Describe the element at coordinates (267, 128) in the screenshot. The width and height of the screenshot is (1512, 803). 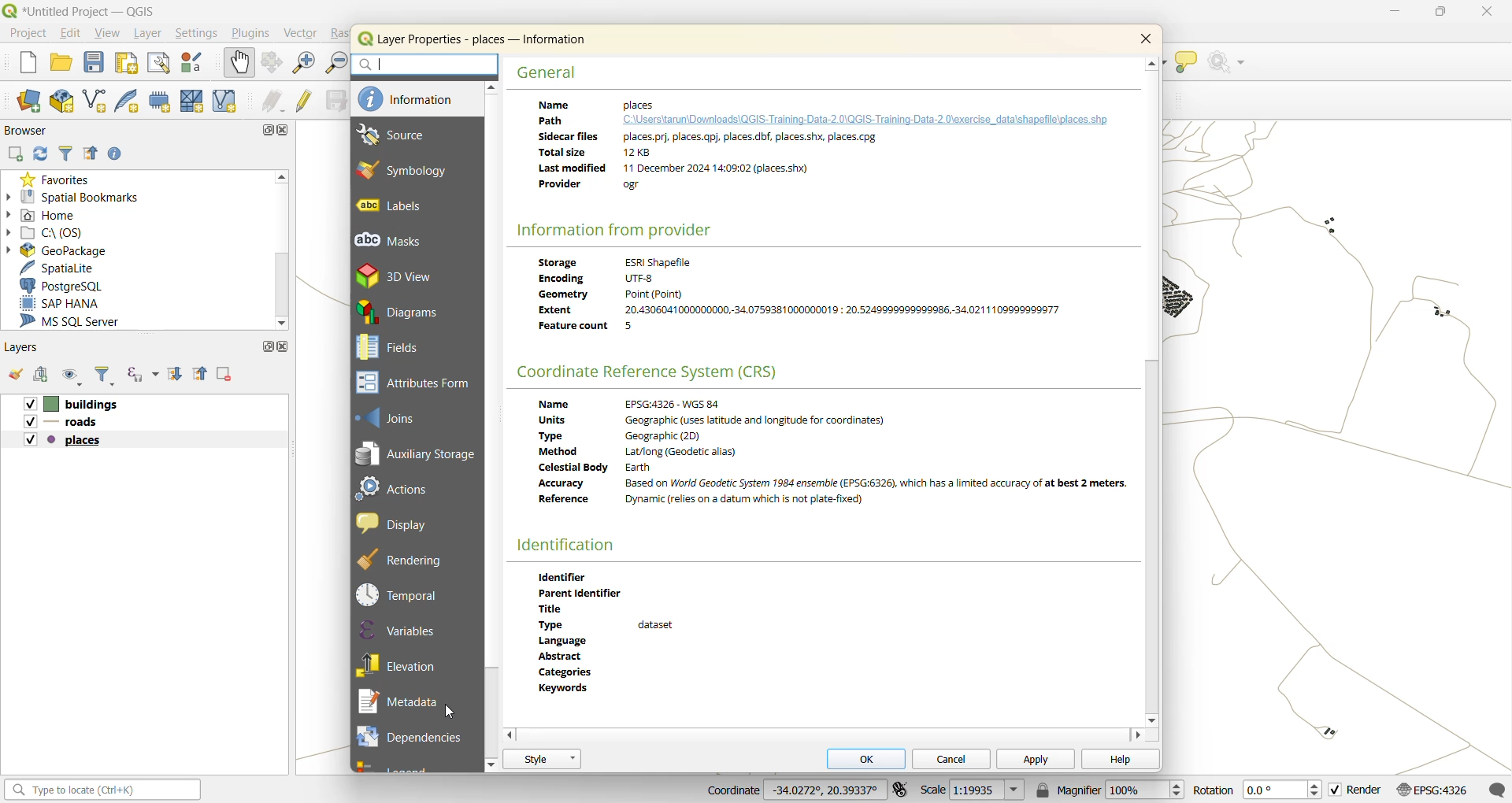
I see `maximize` at that location.